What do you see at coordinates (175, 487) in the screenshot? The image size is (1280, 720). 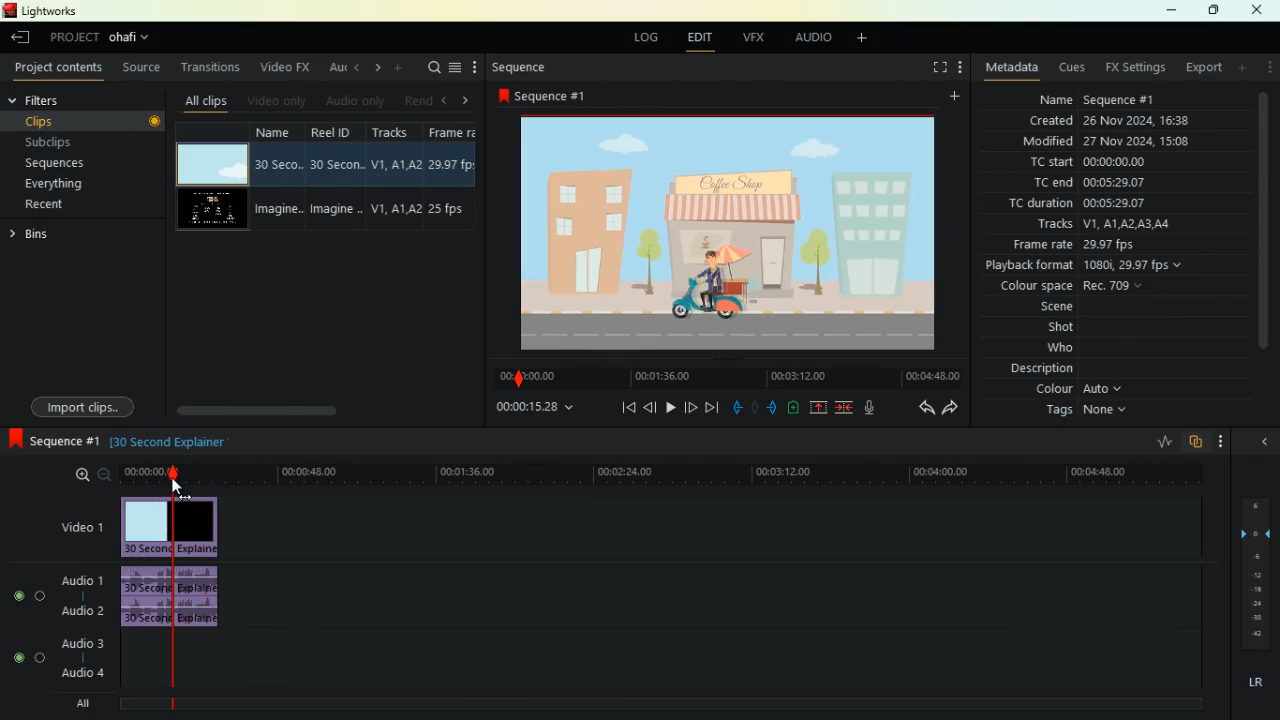 I see `Cursor` at bounding box center [175, 487].